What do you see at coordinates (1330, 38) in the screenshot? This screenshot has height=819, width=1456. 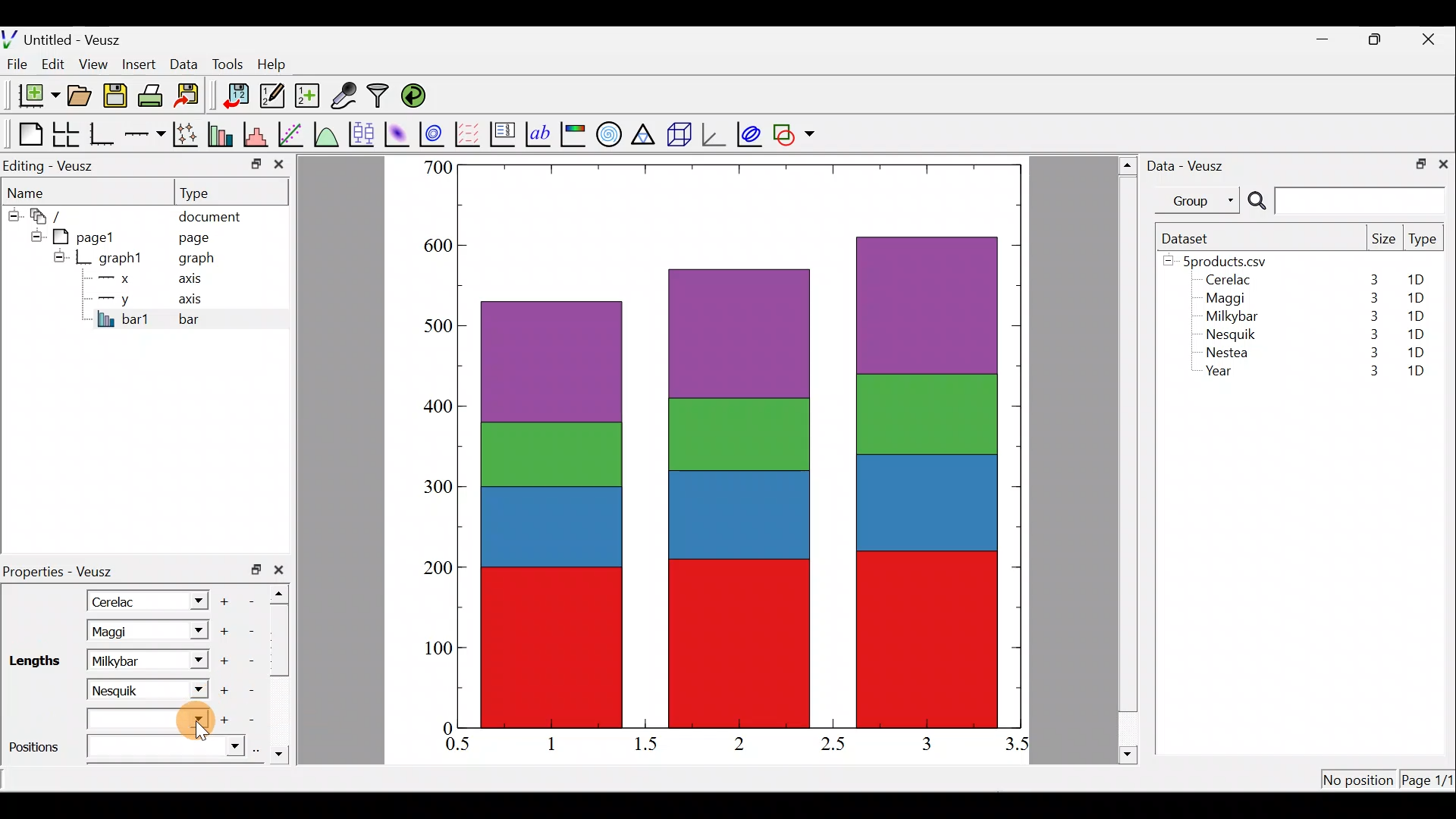 I see `minimize` at bounding box center [1330, 38].